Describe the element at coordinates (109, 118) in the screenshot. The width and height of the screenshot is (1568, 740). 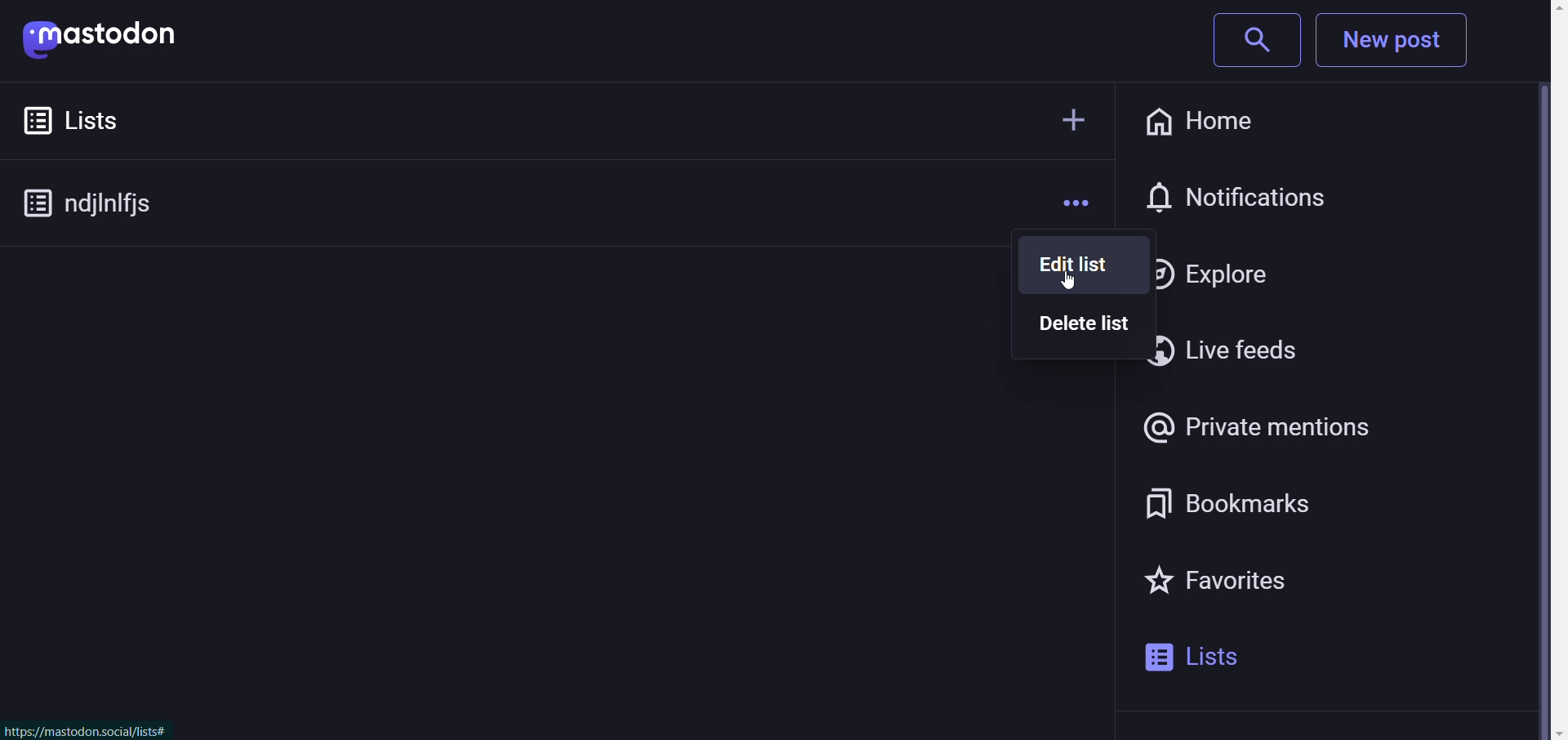
I see `Lists` at that location.